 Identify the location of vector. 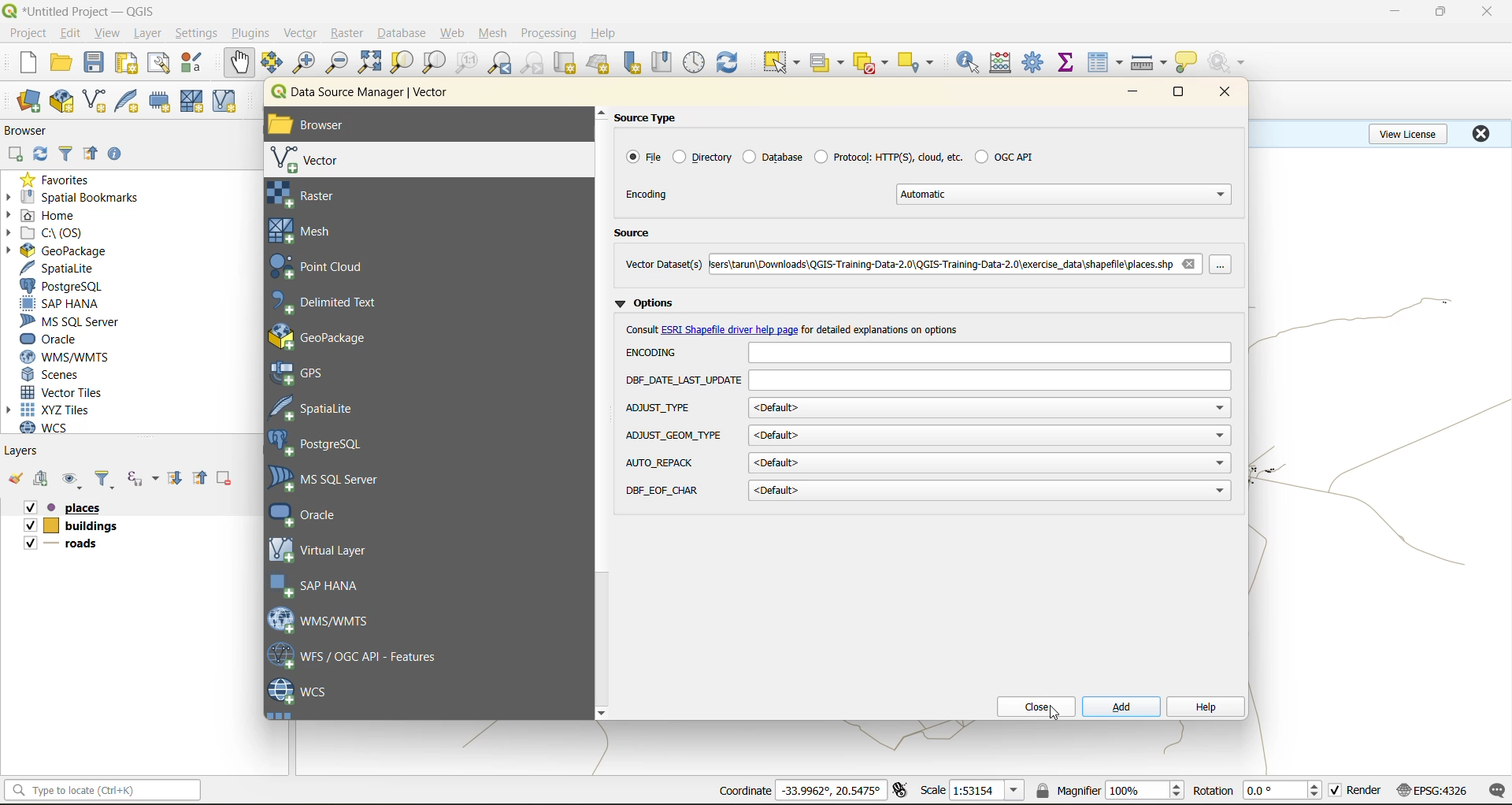
(316, 160).